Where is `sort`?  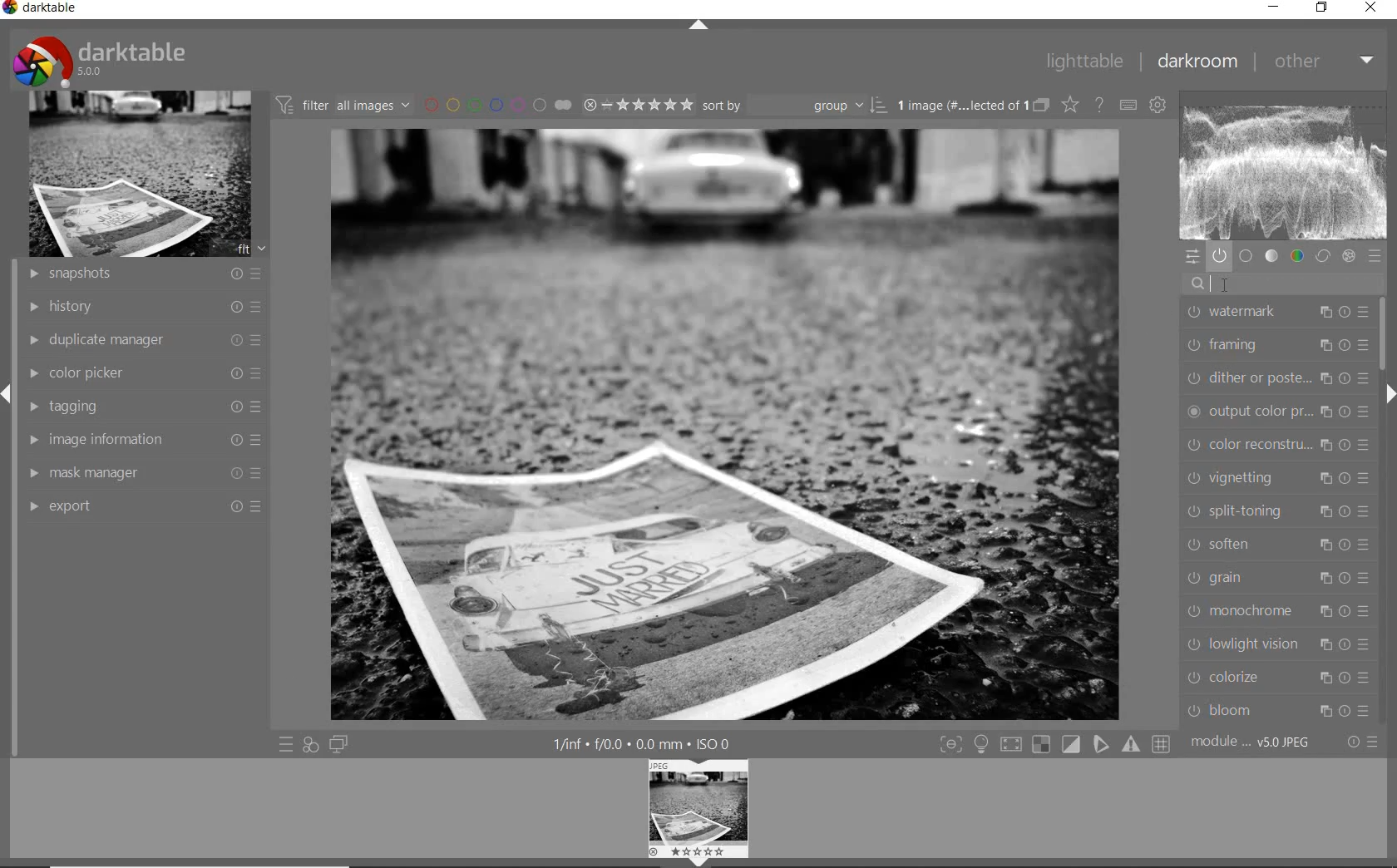
sort is located at coordinates (795, 105).